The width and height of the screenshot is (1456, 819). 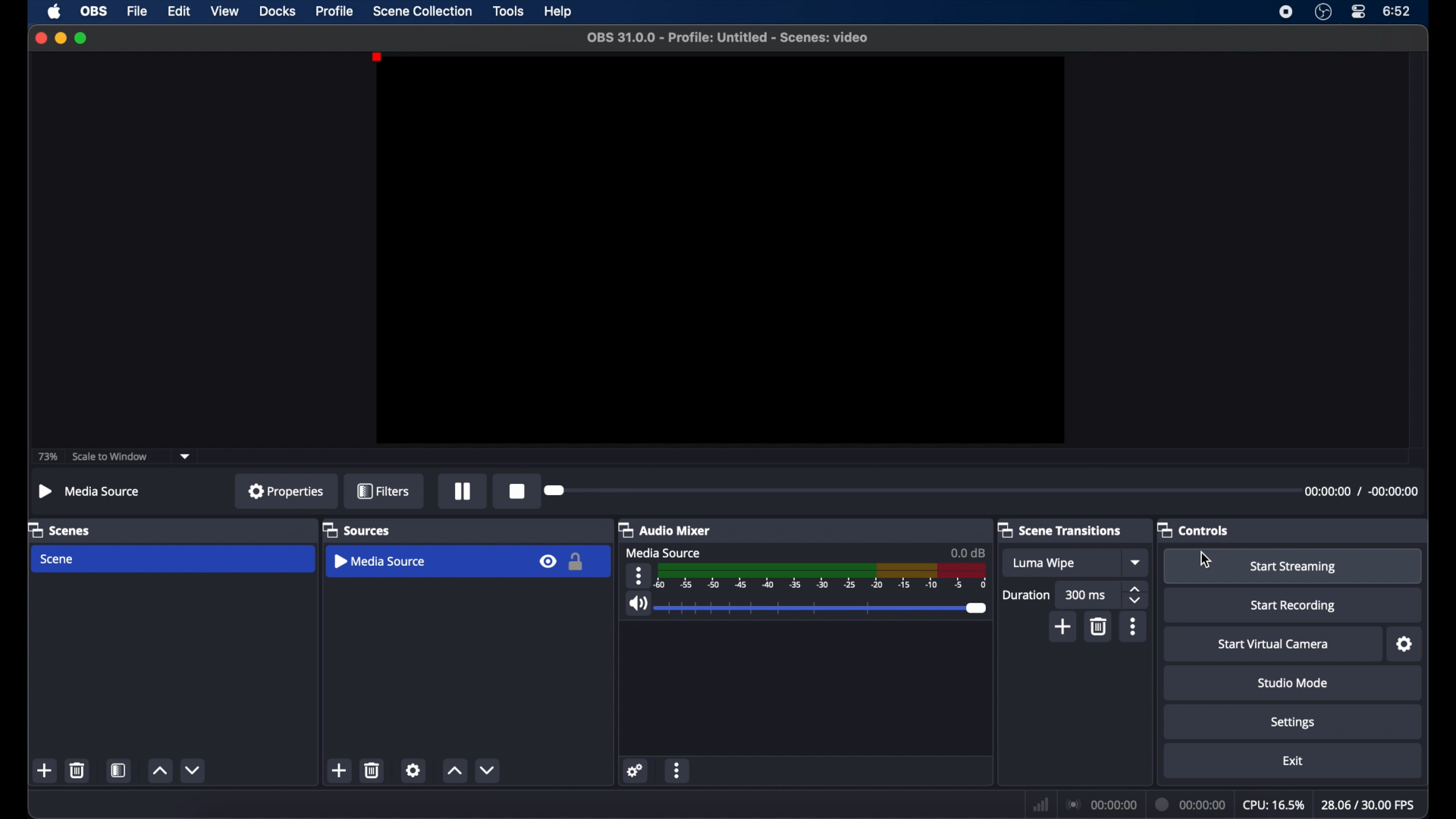 What do you see at coordinates (639, 772) in the screenshot?
I see `settings` at bounding box center [639, 772].